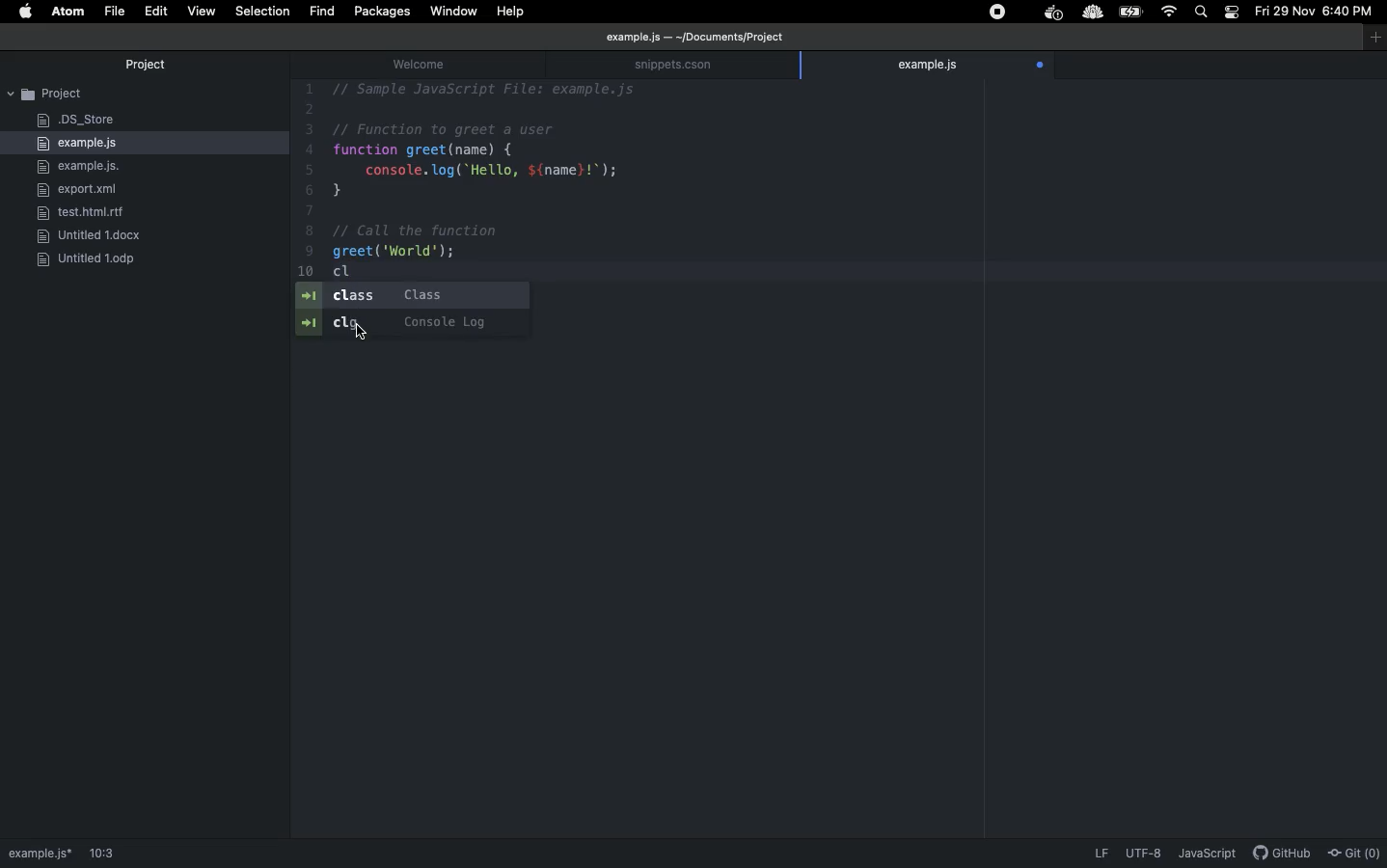  I want to click on example.js, so click(80, 143).